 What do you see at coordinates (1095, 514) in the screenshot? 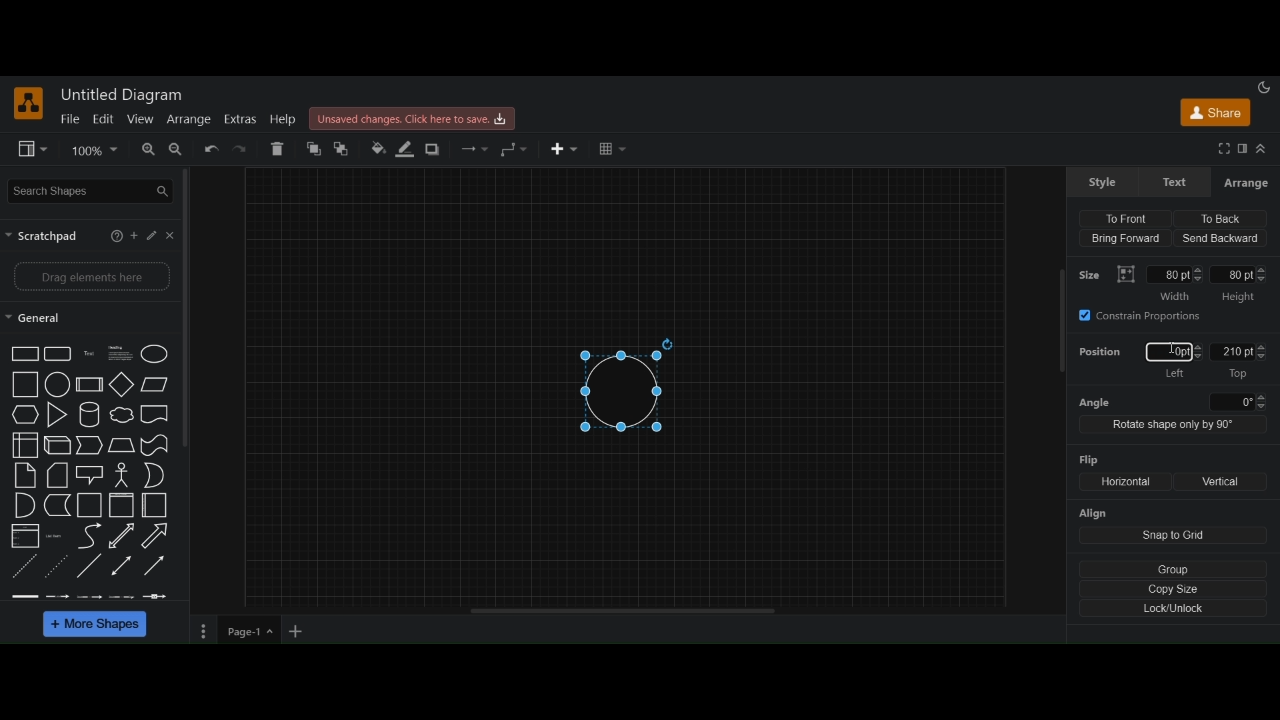
I see `align` at bounding box center [1095, 514].